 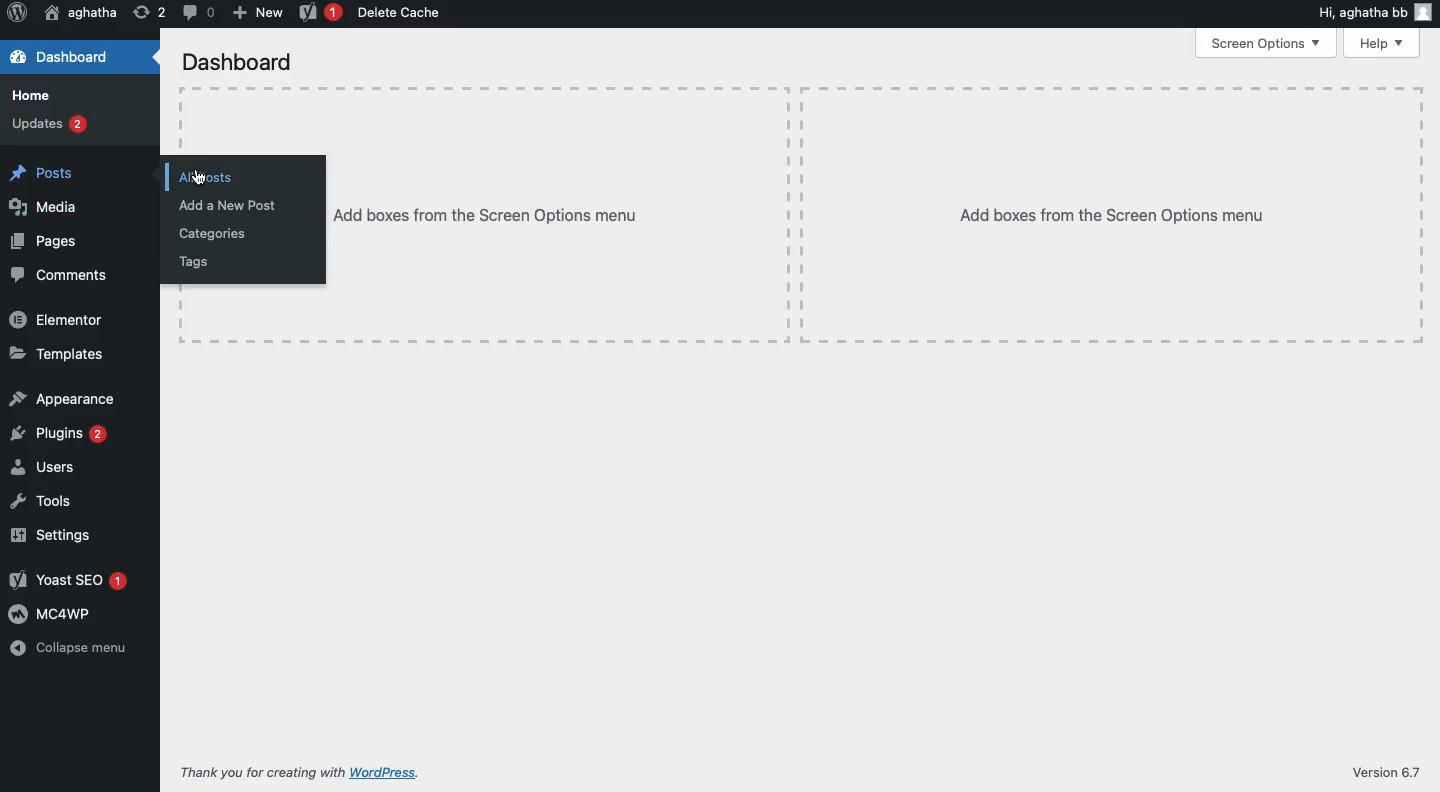 I want to click on Pages, so click(x=46, y=240).